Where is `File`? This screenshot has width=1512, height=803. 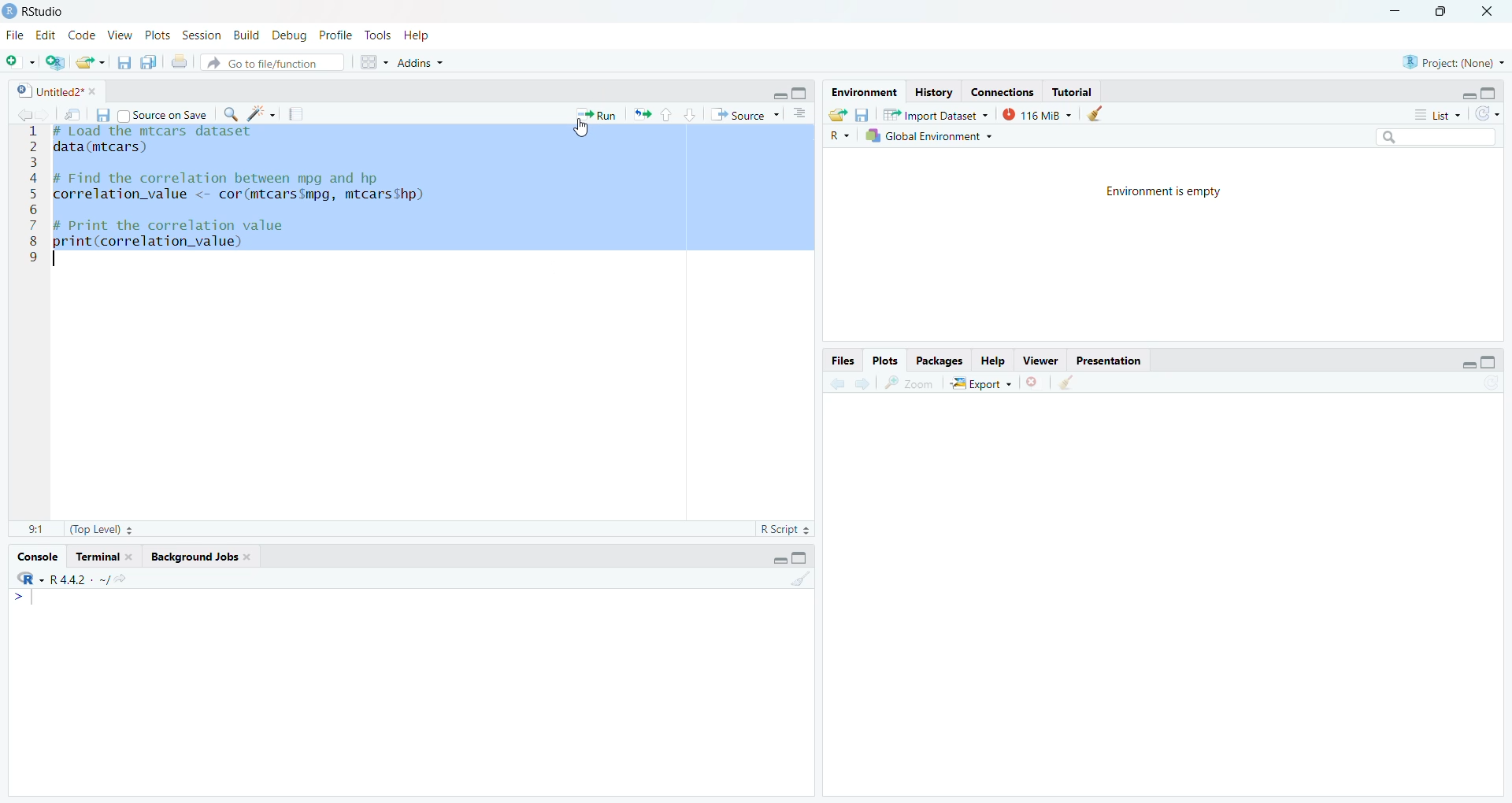 File is located at coordinates (13, 38).